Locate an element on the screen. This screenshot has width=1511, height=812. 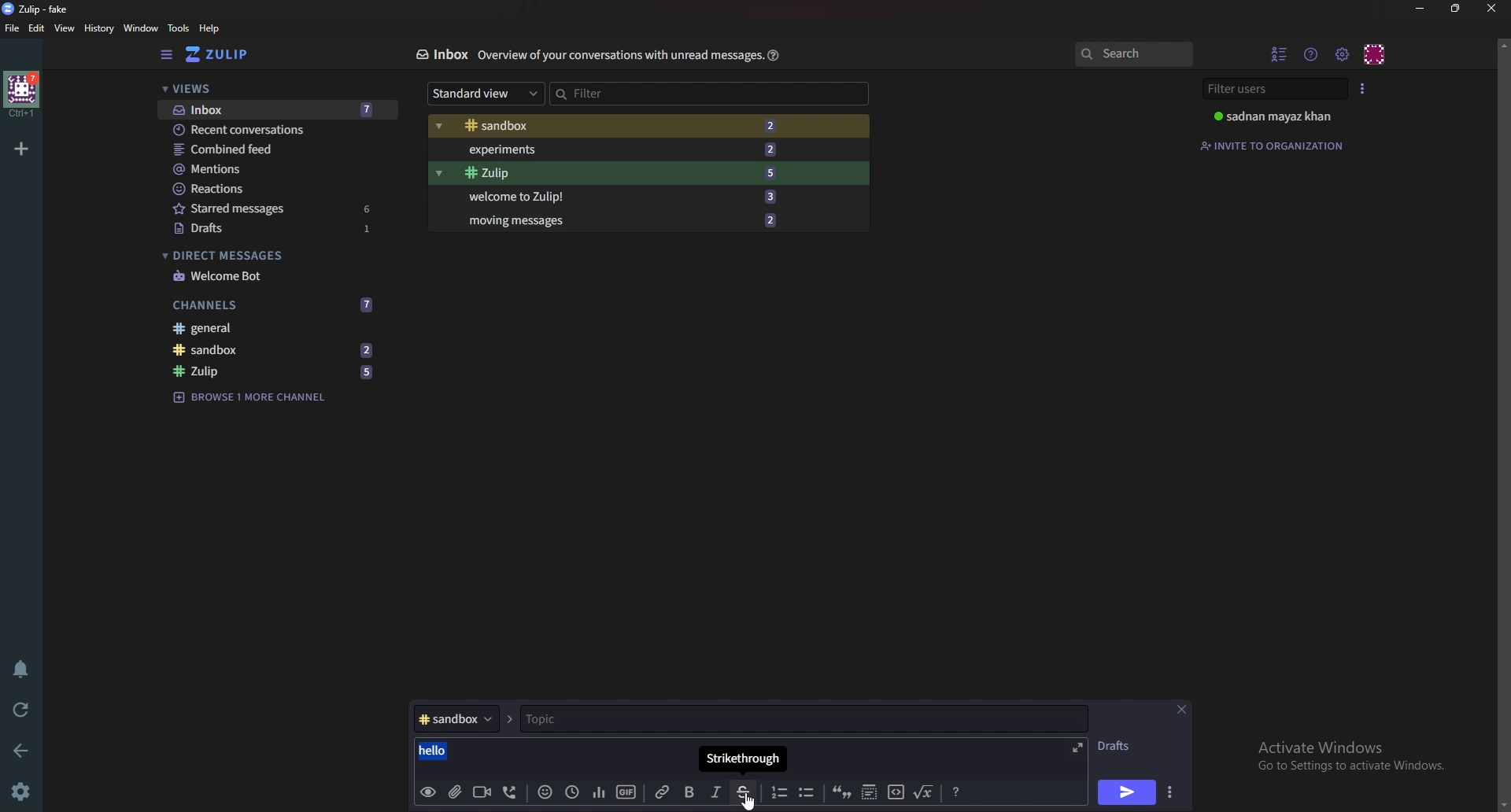
Bold is located at coordinates (687, 794).